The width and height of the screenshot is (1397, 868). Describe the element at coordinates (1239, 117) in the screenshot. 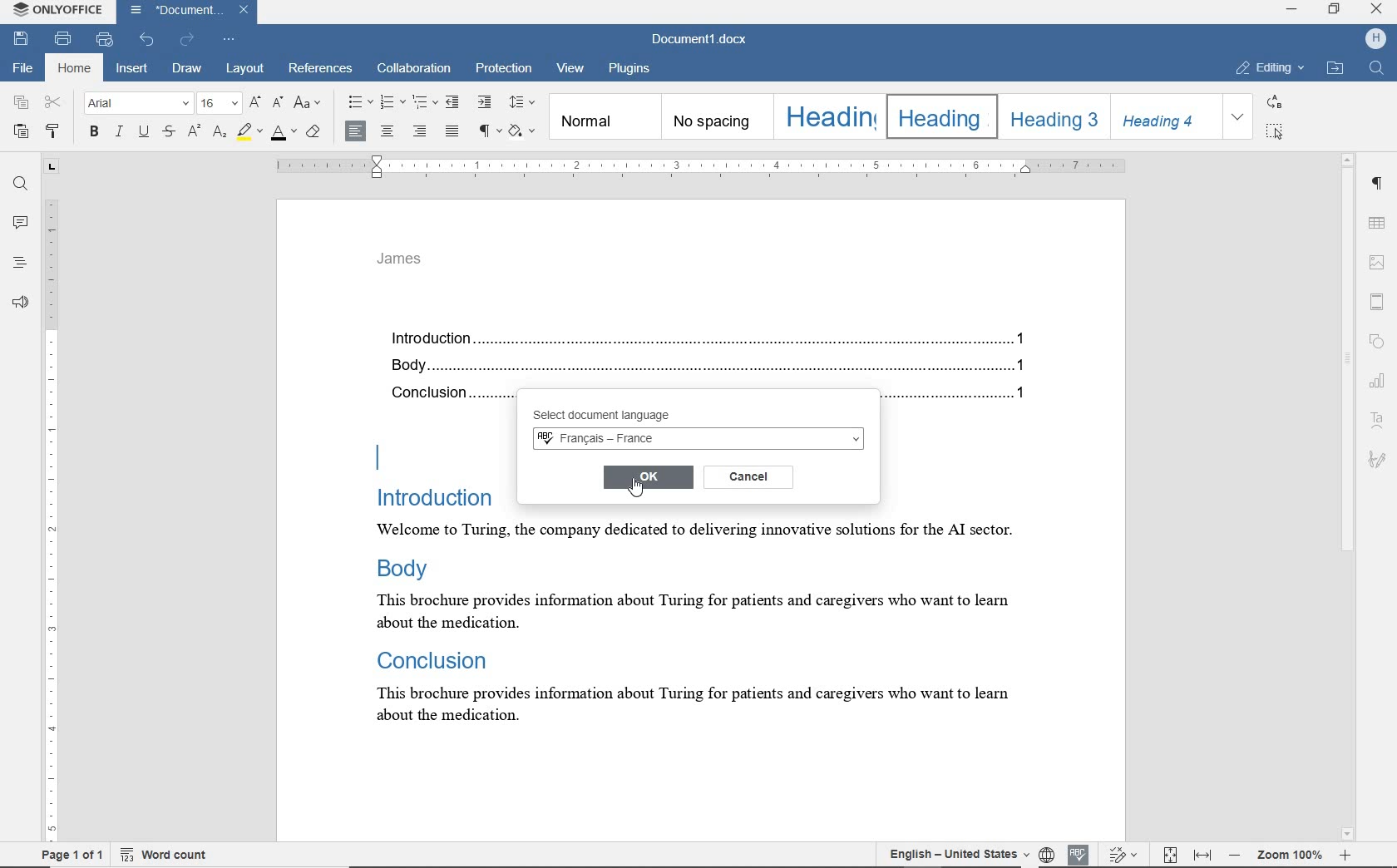

I see `EXPAND` at that location.